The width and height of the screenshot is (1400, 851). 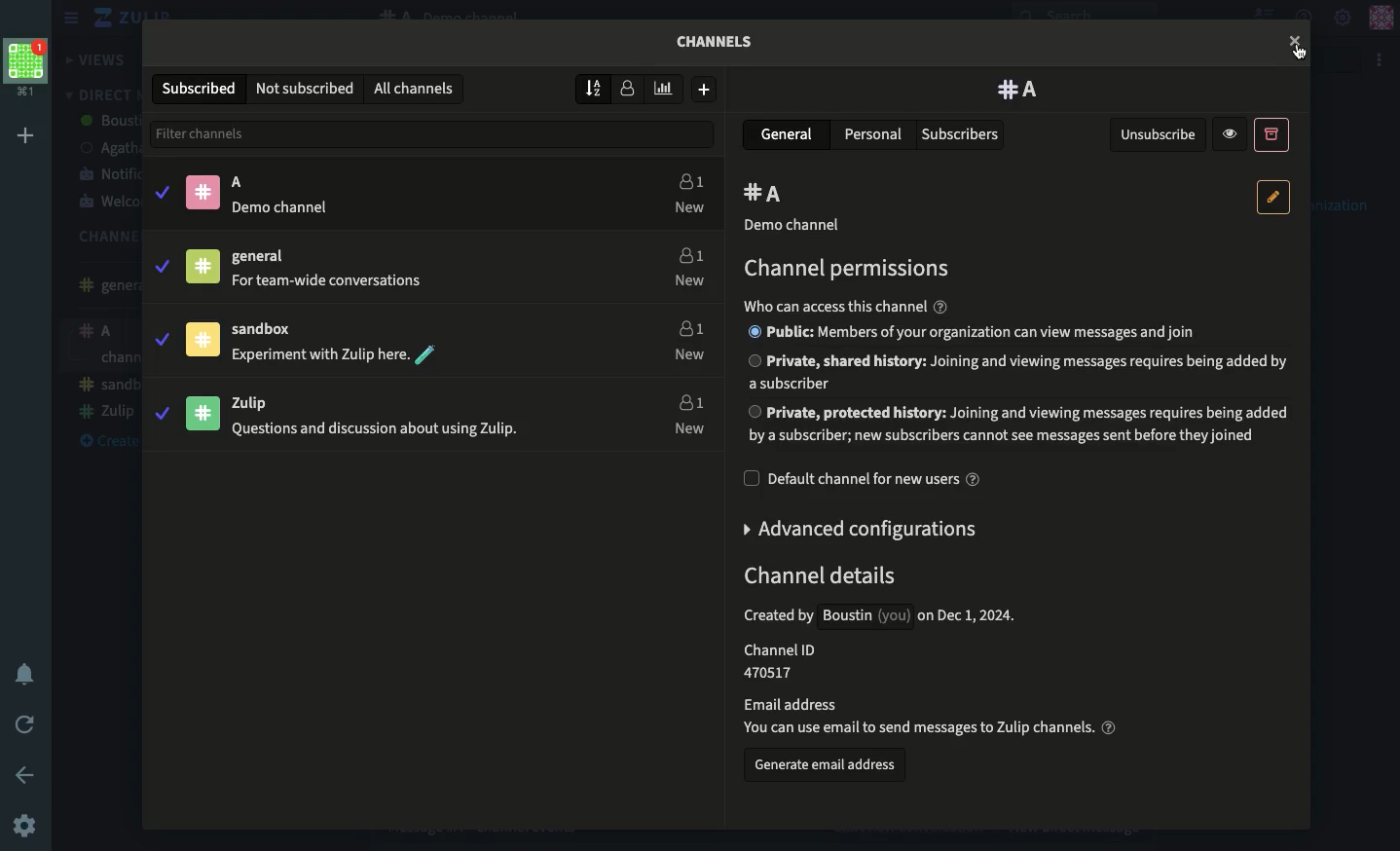 I want to click on Subscribers, so click(x=962, y=135).